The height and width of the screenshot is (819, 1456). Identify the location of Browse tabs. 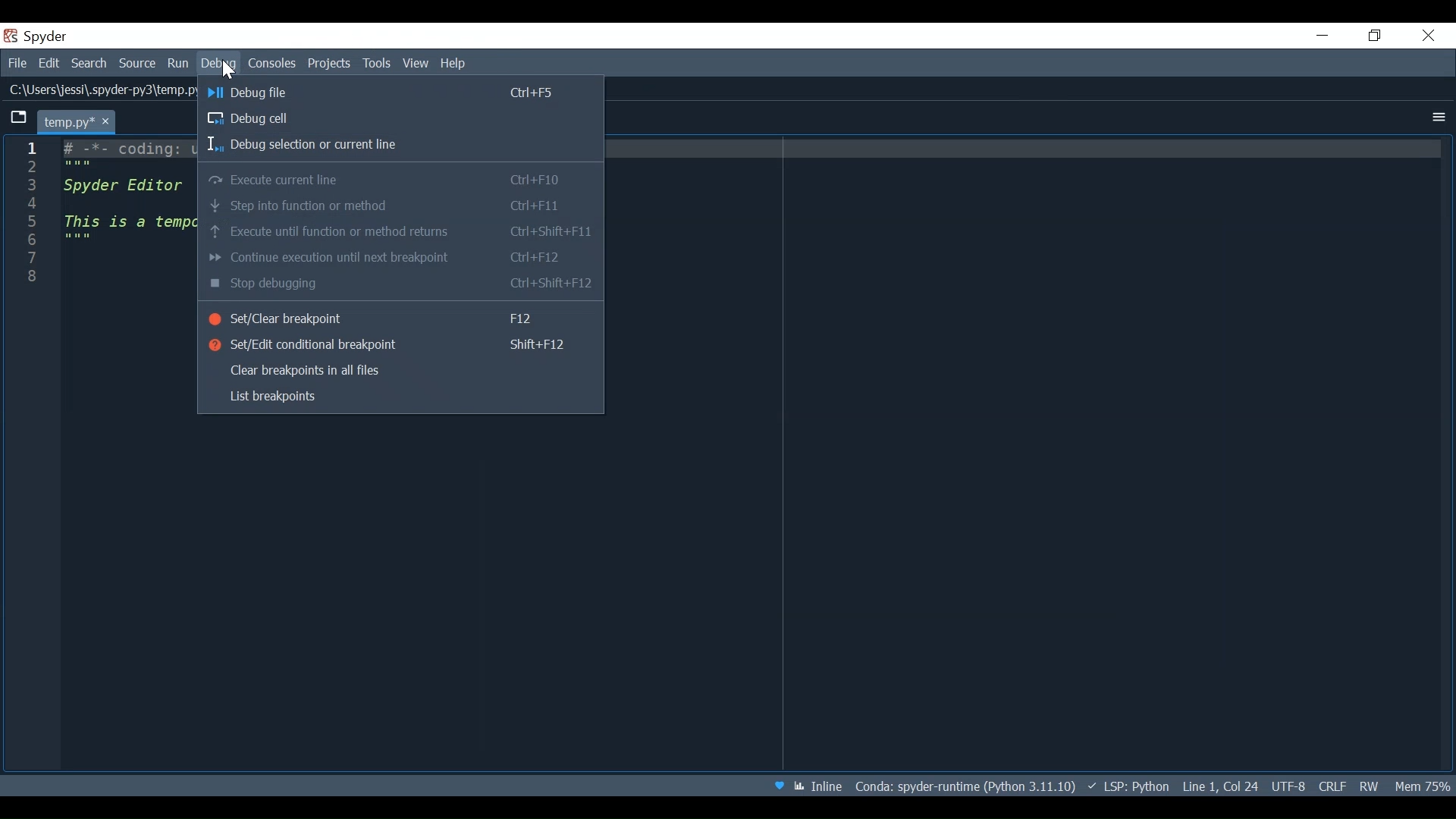
(17, 117).